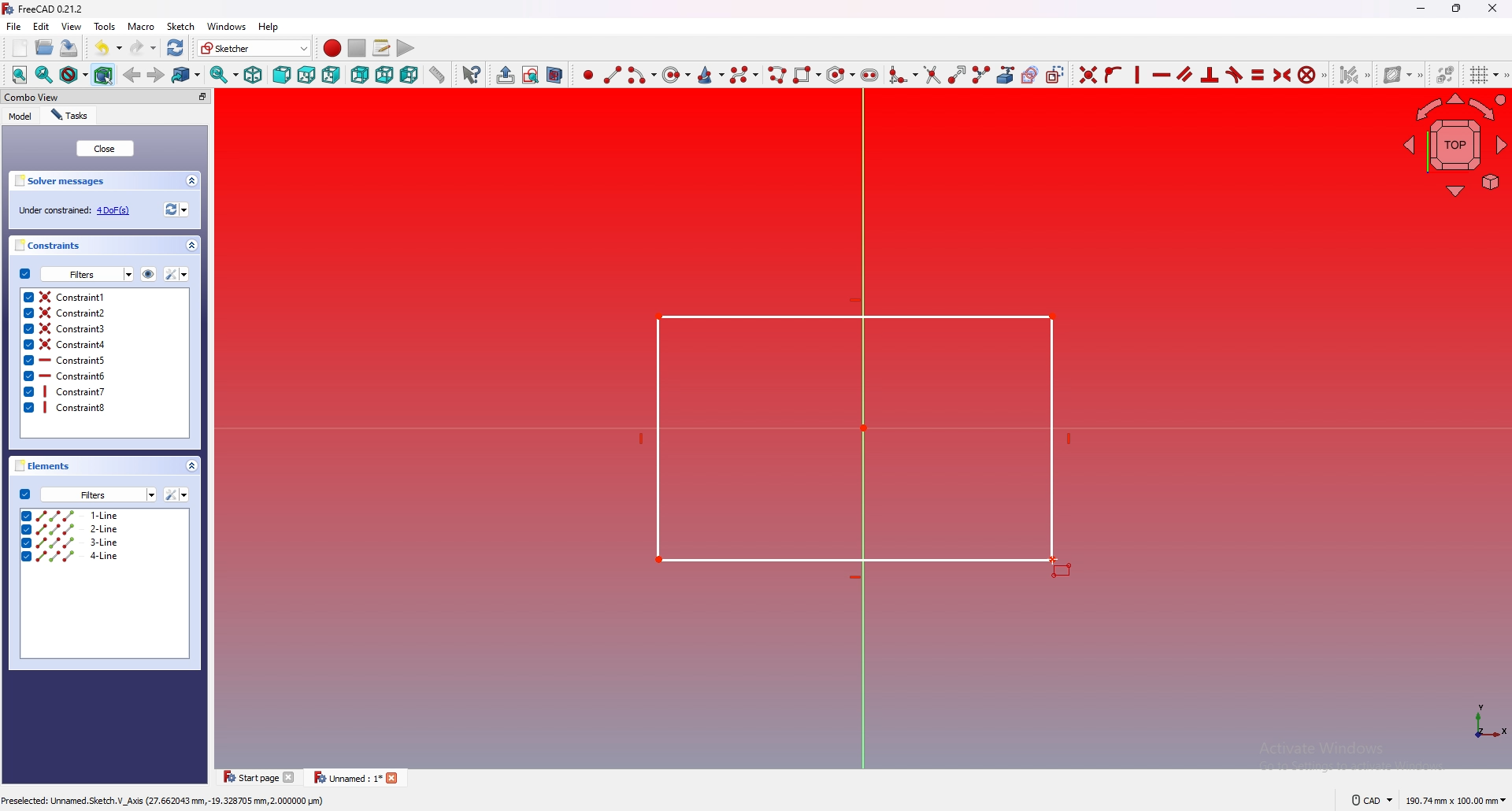  What do you see at coordinates (1283, 76) in the screenshot?
I see `constraint symmetrical` at bounding box center [1283, 76].